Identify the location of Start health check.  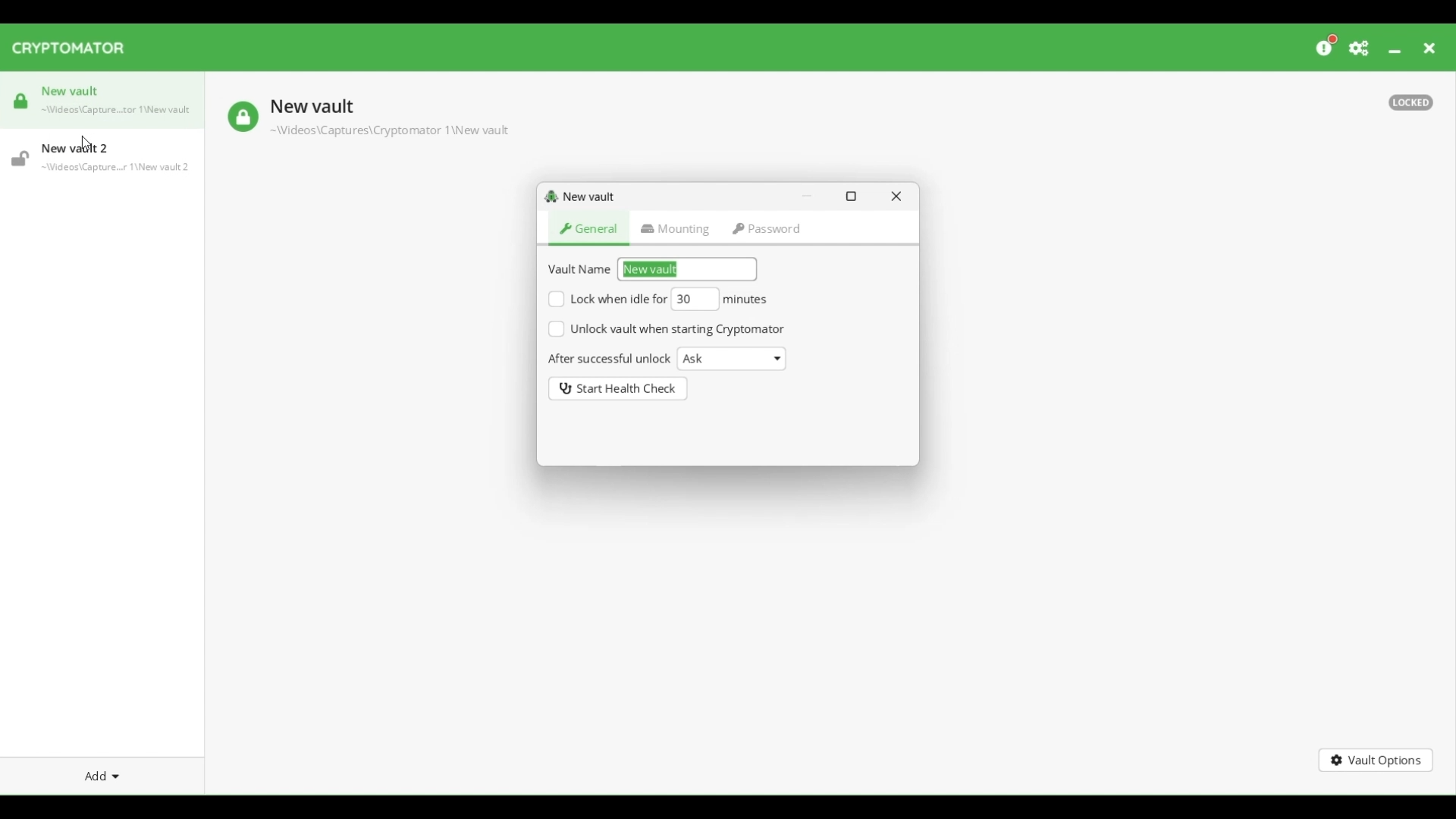
(618, 389).